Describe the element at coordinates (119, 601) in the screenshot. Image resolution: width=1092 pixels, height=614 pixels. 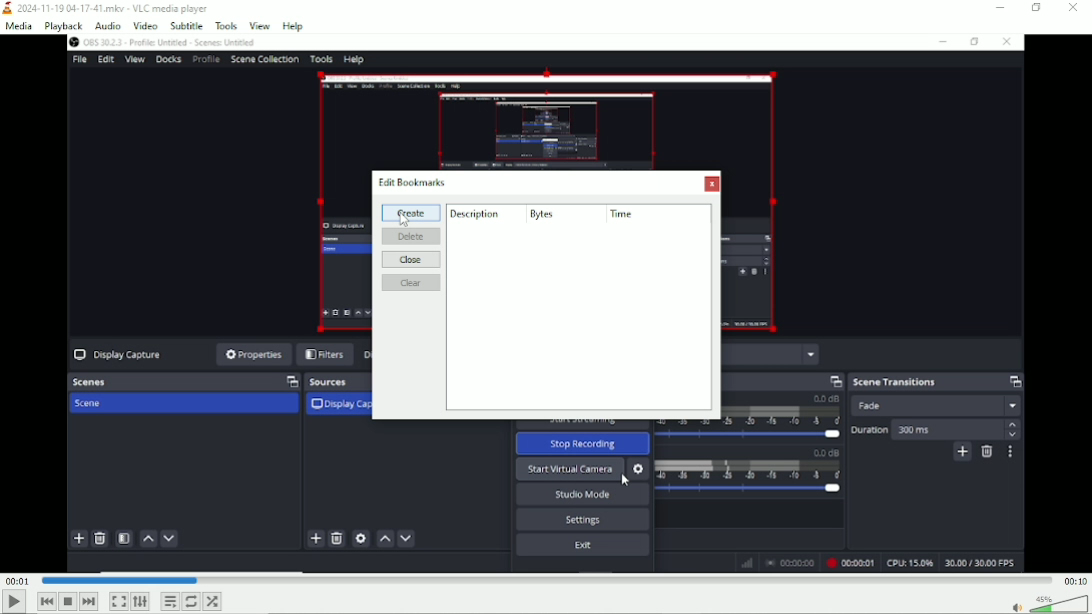
I see `Toggle video in fullscreen` at that location.